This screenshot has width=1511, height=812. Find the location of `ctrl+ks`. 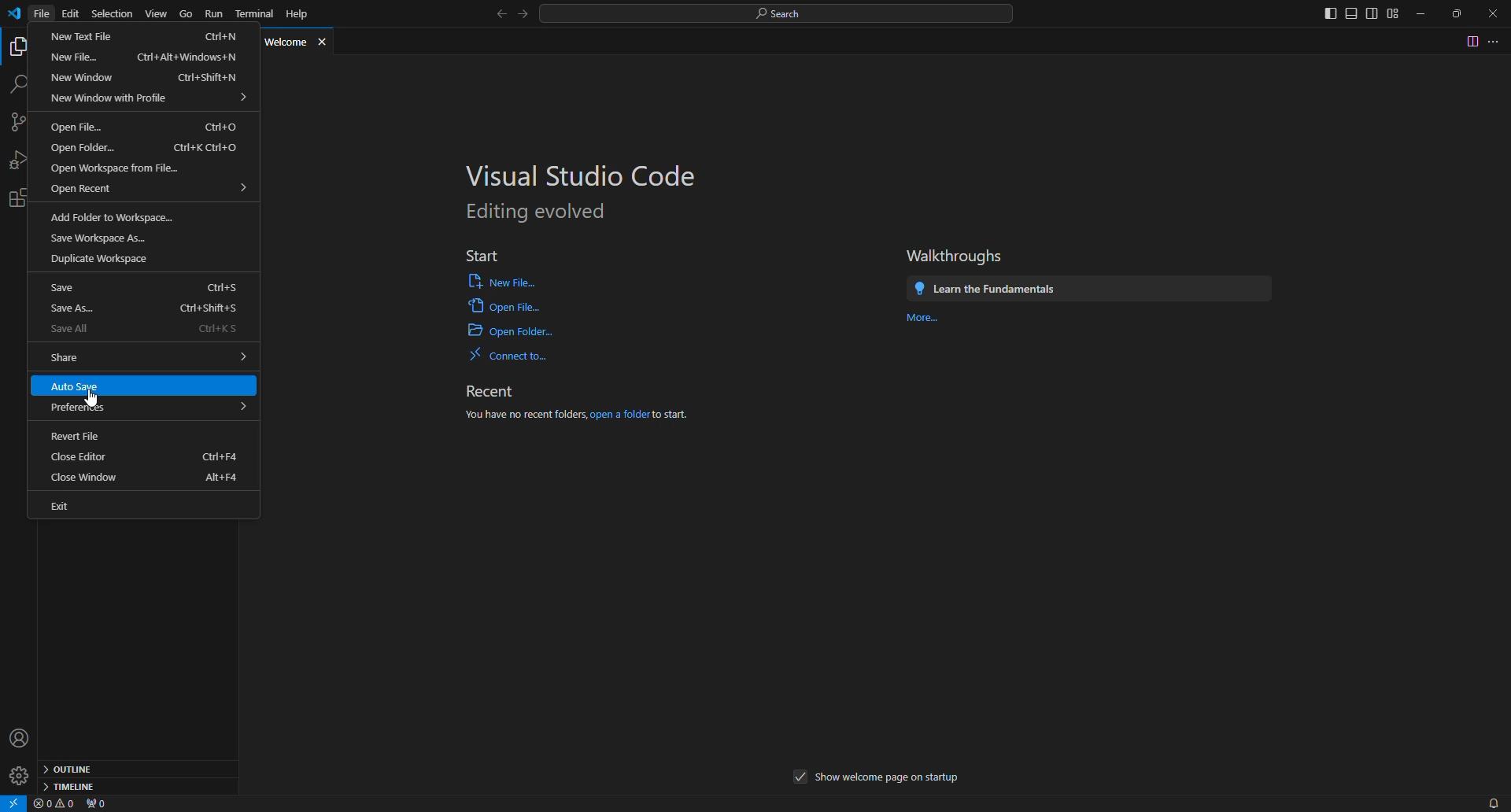

ctrl+ks is located at coordinates (221, 331).